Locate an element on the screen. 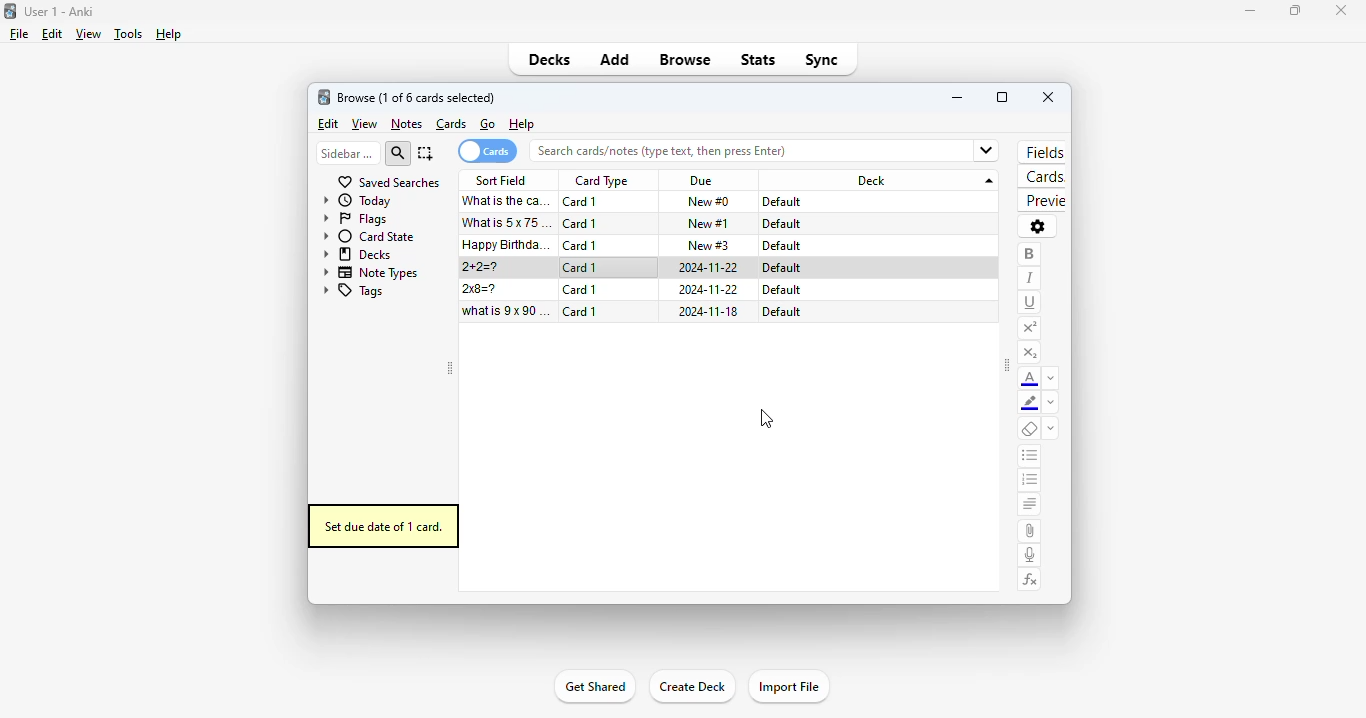  logo is located at coordinates (324, 97).